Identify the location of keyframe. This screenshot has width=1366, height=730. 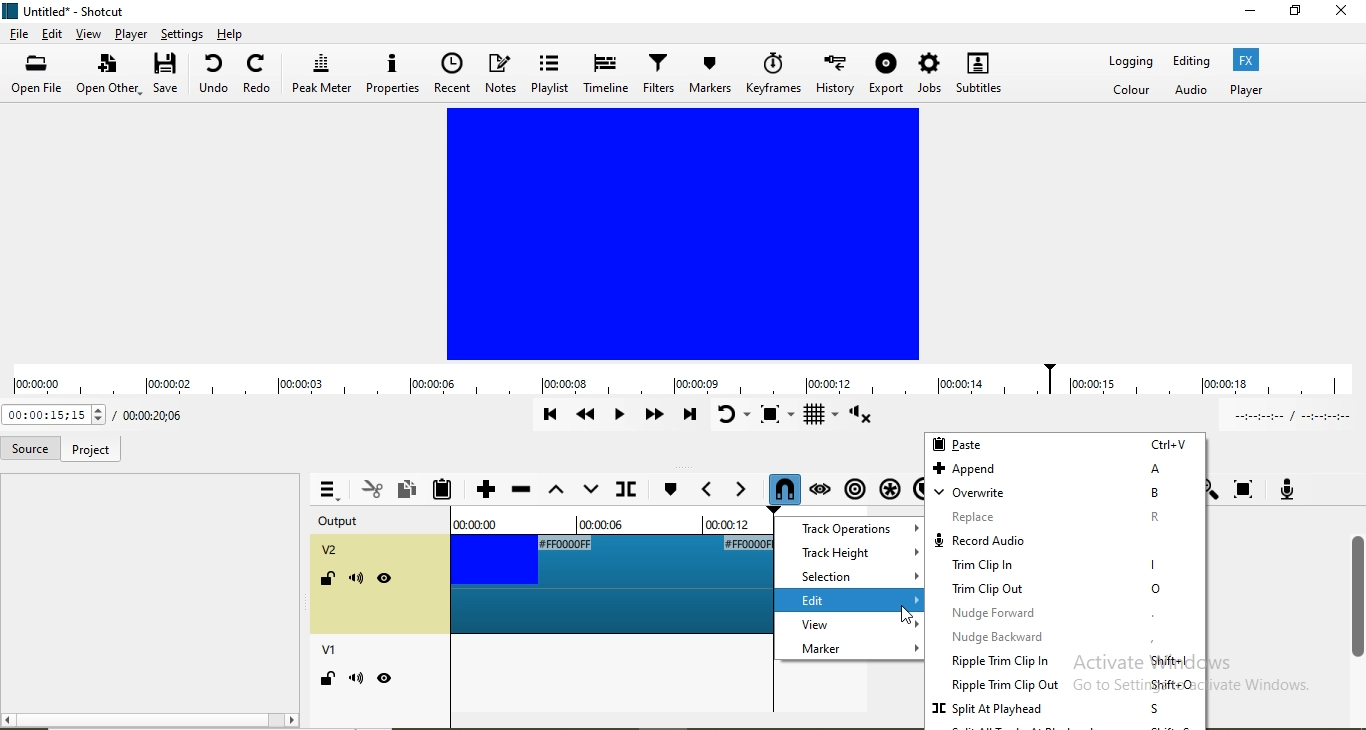
(774, 72).